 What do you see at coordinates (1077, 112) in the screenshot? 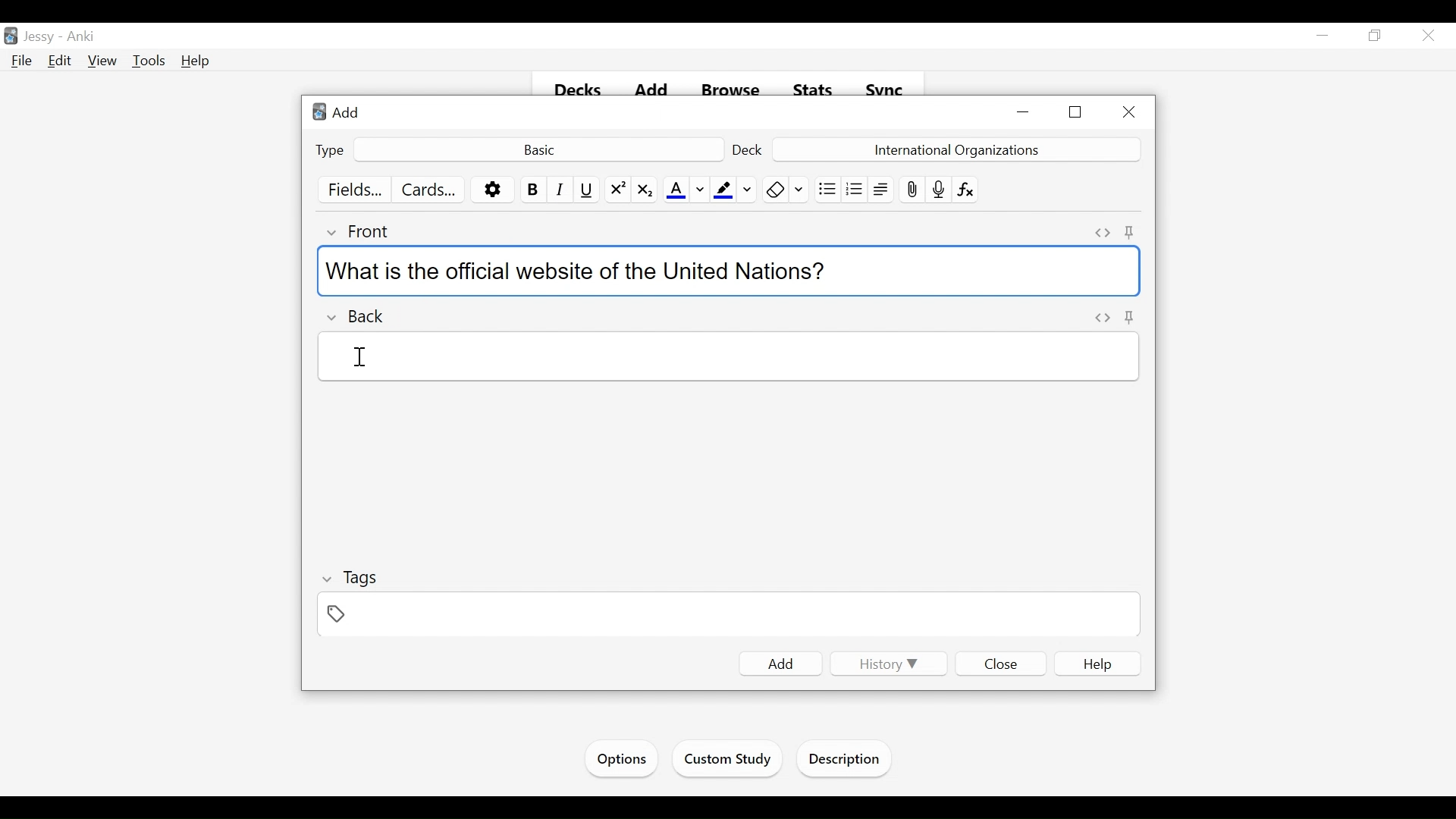
I see `Restore` at bounding box center [1077, 112].